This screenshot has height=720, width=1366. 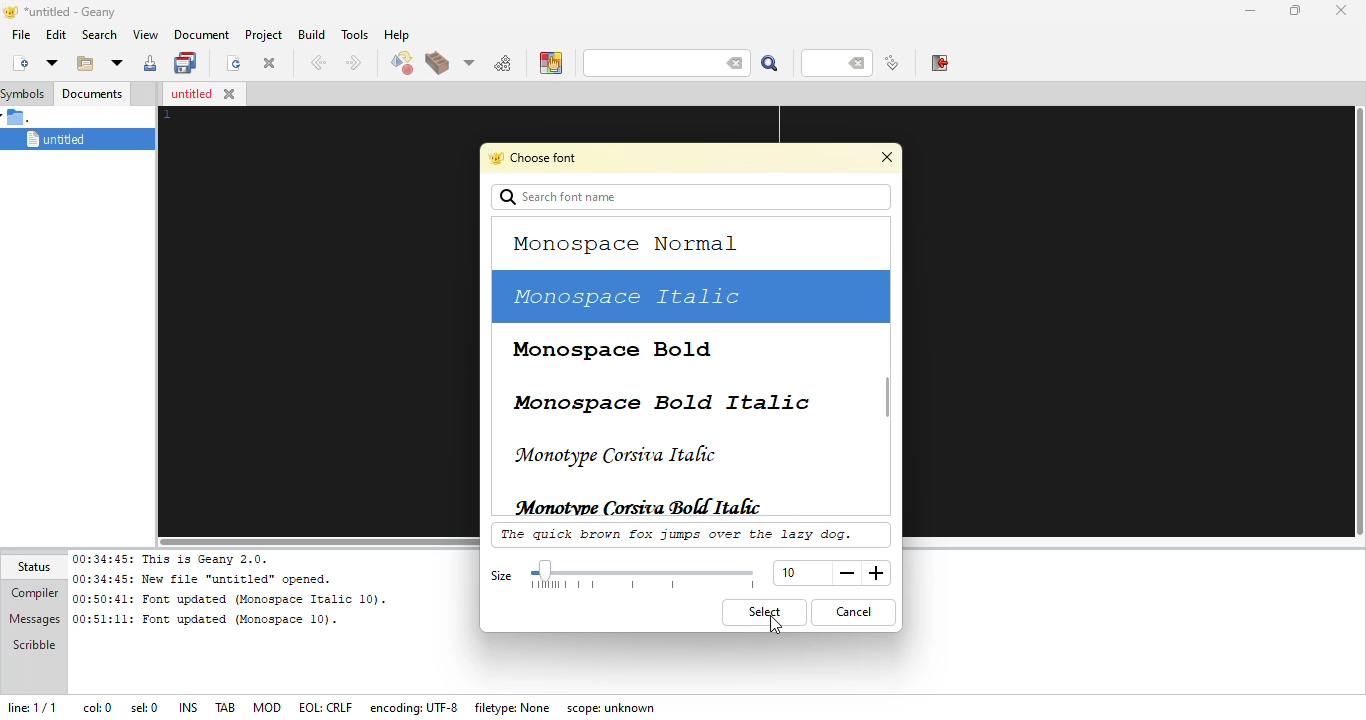 I want to click on documents, so click(x=91, y=92).